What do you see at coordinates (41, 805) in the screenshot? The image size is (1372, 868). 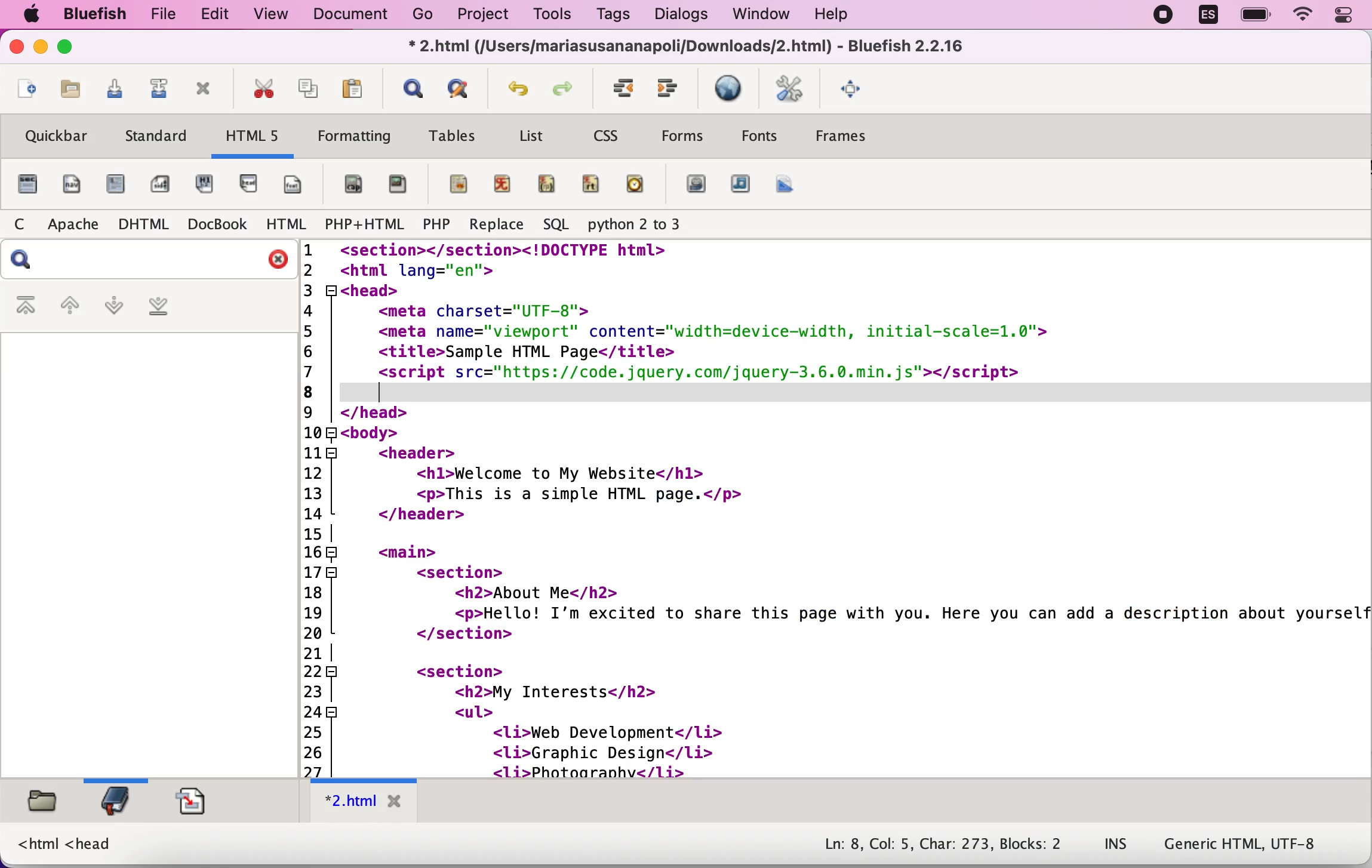 I see `filebrowser` at bounding box center [41, 805].